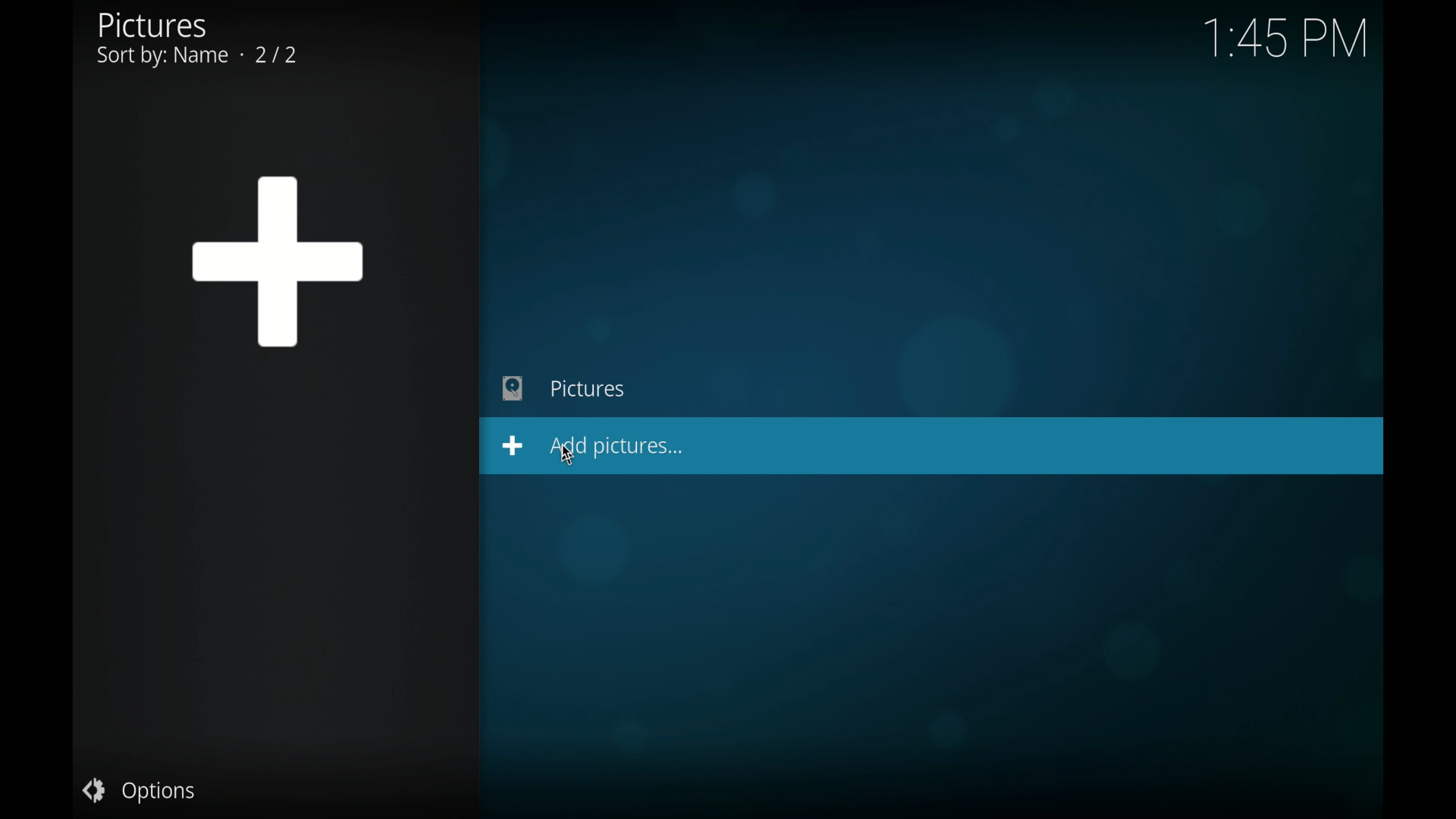 The width and height of the screenshot is (1456, 819). What do you see at coordinates (281, 260) in the screenshot?
I see `add icon` at bounding box center [281, 260].